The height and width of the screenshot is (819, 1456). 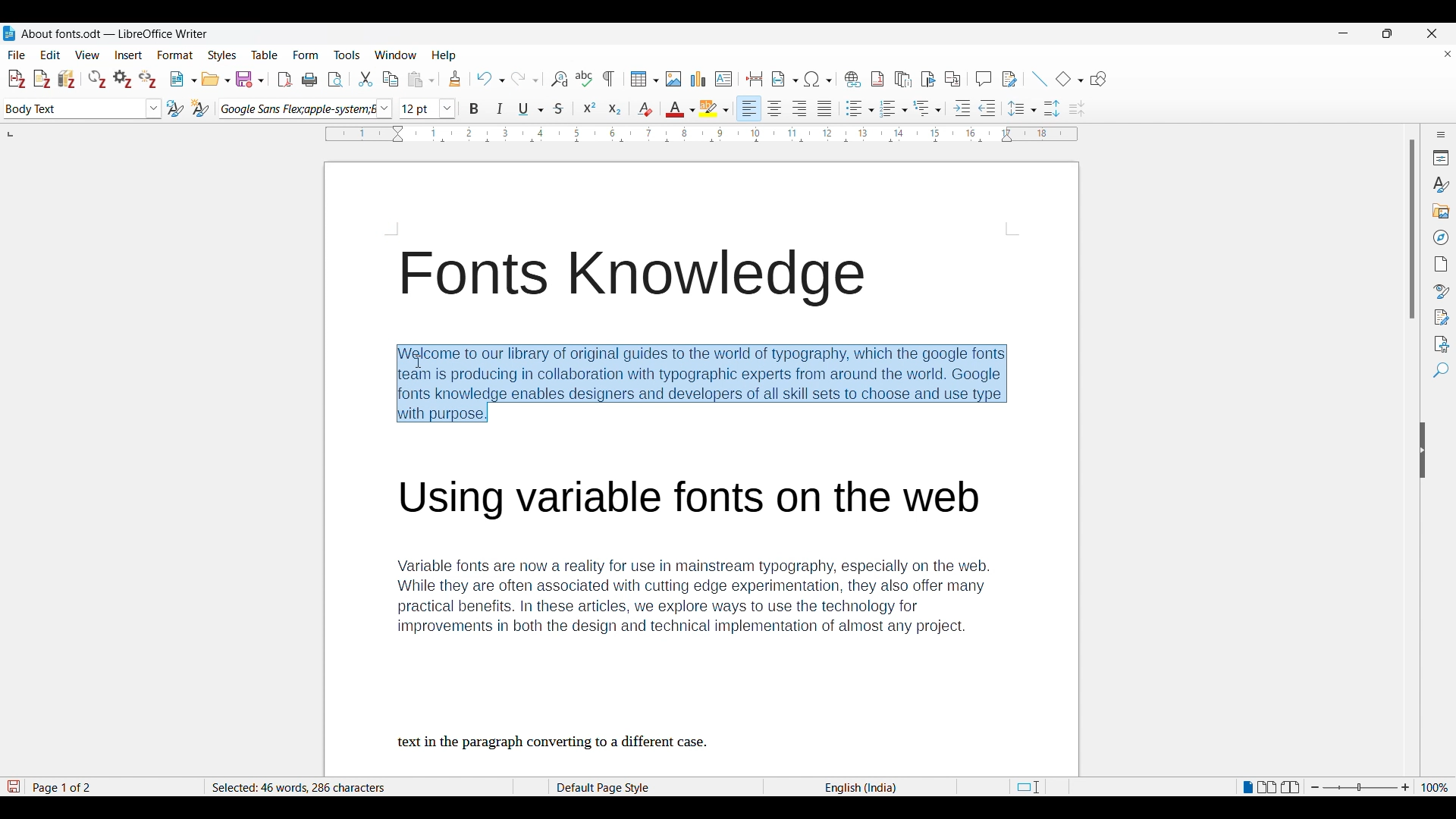 What do you see at coordinates (83, 108) in the screenshot?
I see `Paragraph style options` at bounding box center [83, 108].